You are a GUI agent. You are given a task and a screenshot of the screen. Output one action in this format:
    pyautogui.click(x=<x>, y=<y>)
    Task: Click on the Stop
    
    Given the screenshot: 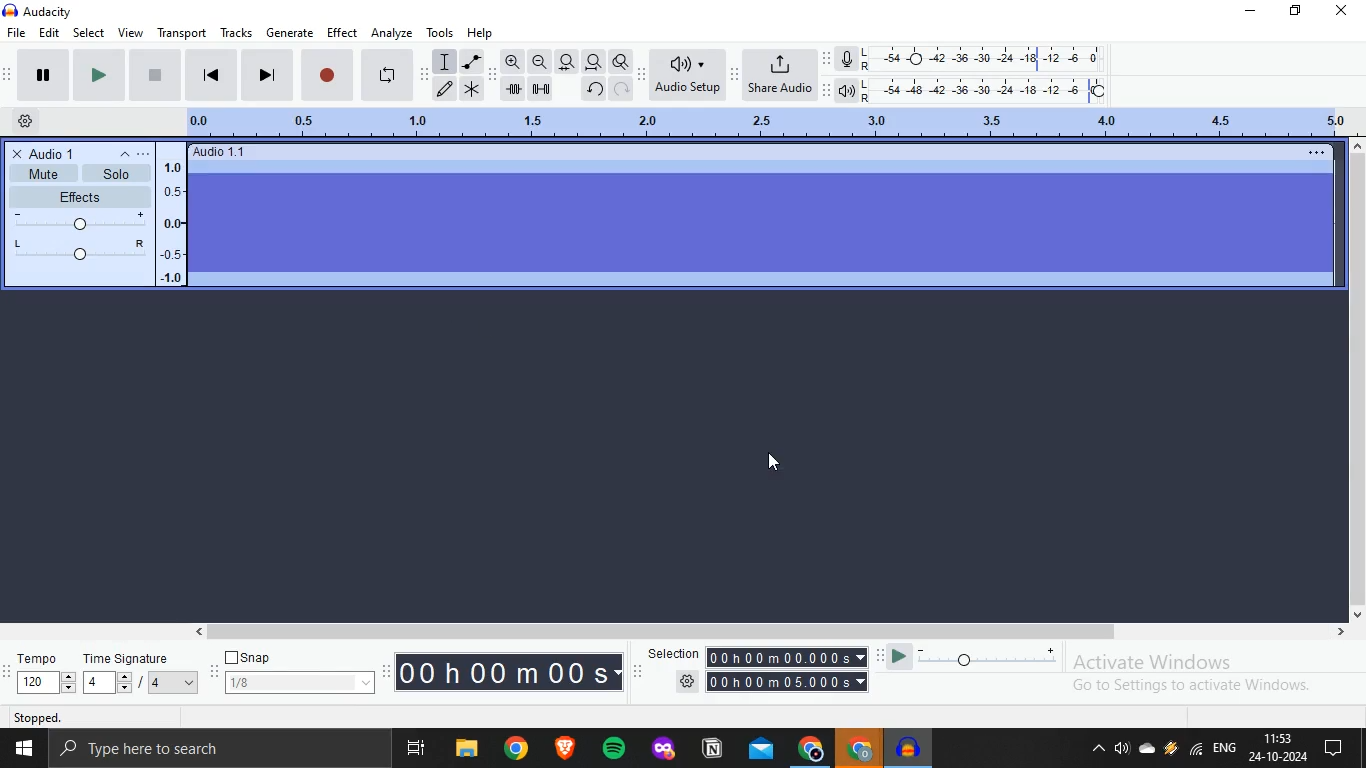 What is the action you would take?
    pyautogui.click(x=329, y=73)
    